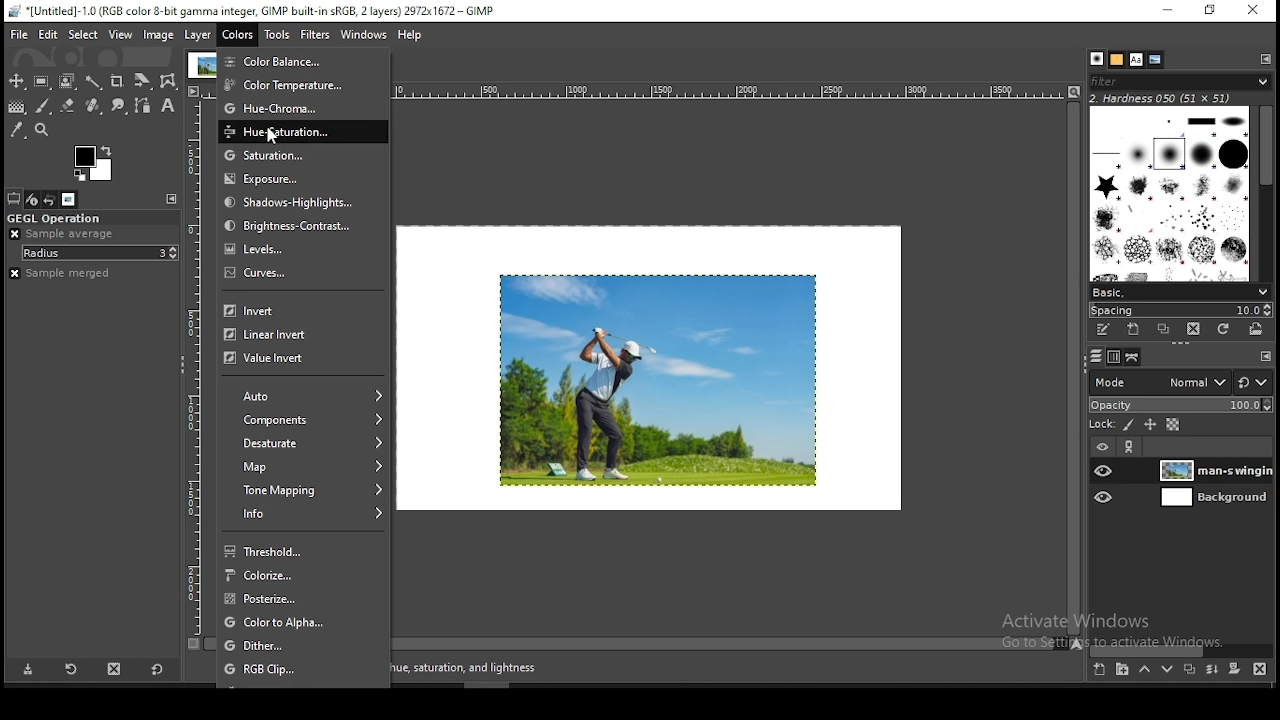 The height and width of the screenshot is (720, 1280). Describe the element at coordinates (239, 35) in the screenshot. I see `colors` at that location.